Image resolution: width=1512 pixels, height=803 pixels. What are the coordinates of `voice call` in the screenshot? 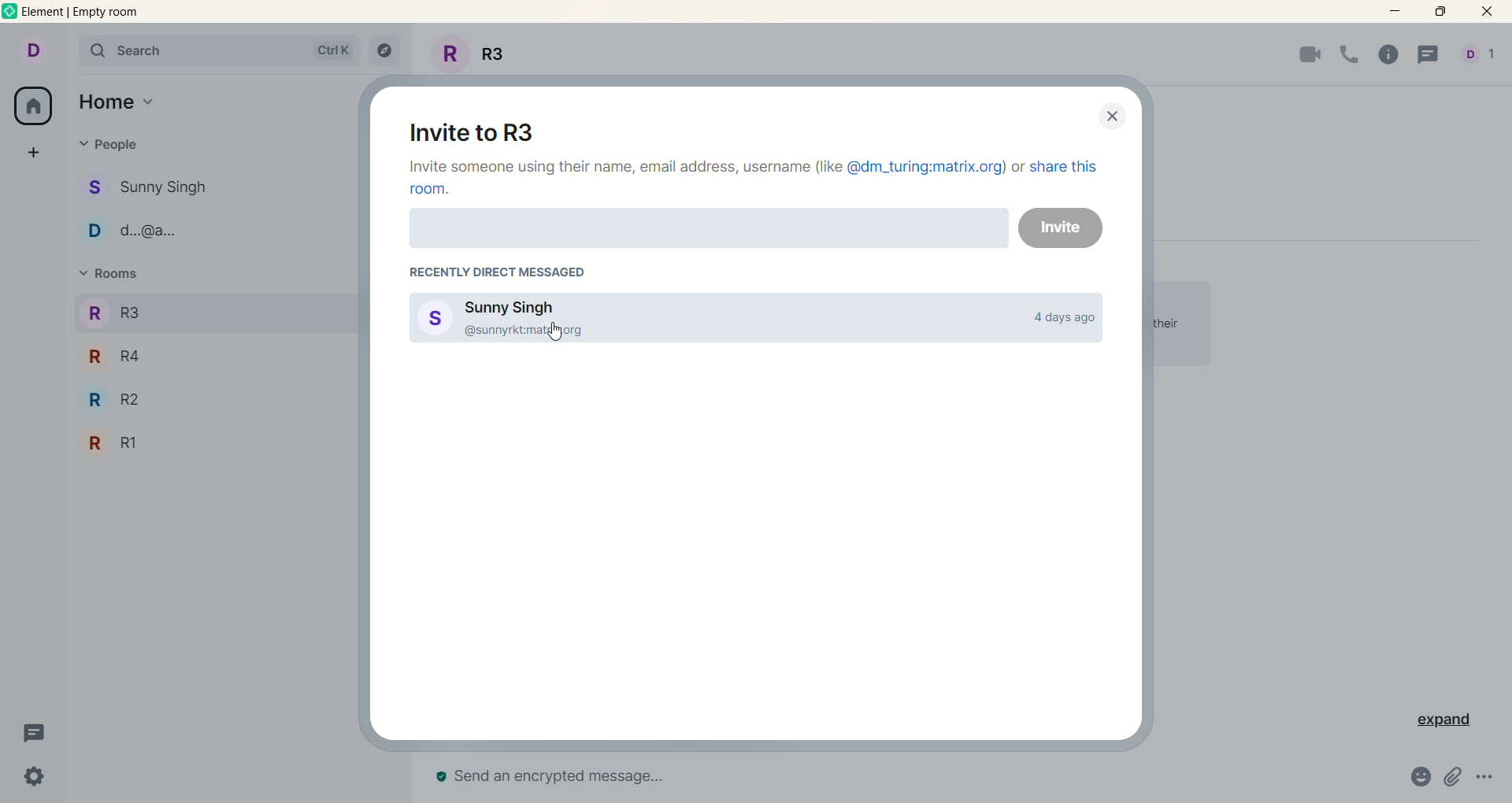 It's located at (1347, 56).